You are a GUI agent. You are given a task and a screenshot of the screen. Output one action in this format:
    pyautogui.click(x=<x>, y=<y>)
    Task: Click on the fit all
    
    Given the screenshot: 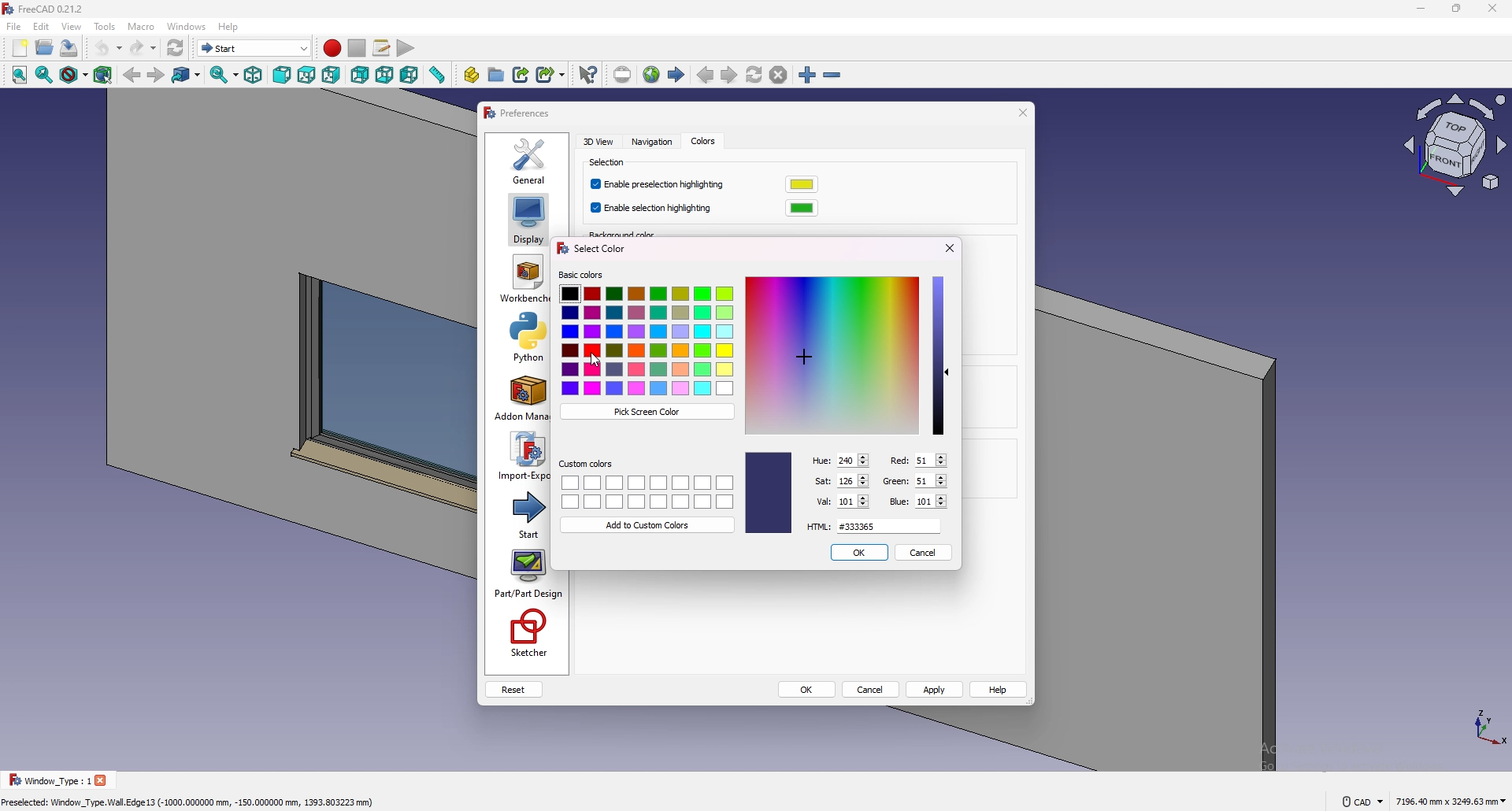 What is the action you would take?
    pyautogui.click(x=17, y=76)
    